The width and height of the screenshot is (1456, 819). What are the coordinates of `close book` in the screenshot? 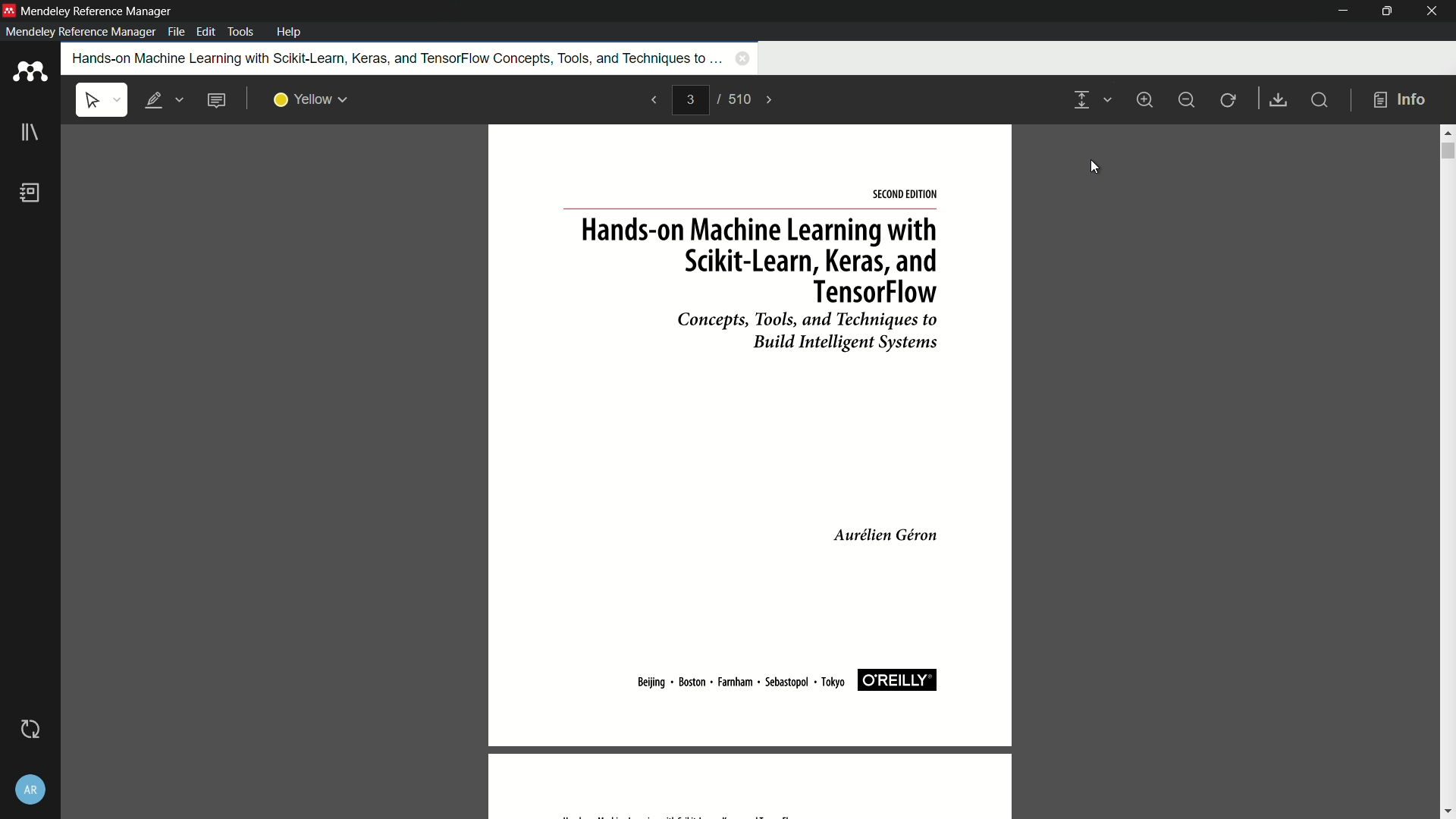 It's located at (743, 58).